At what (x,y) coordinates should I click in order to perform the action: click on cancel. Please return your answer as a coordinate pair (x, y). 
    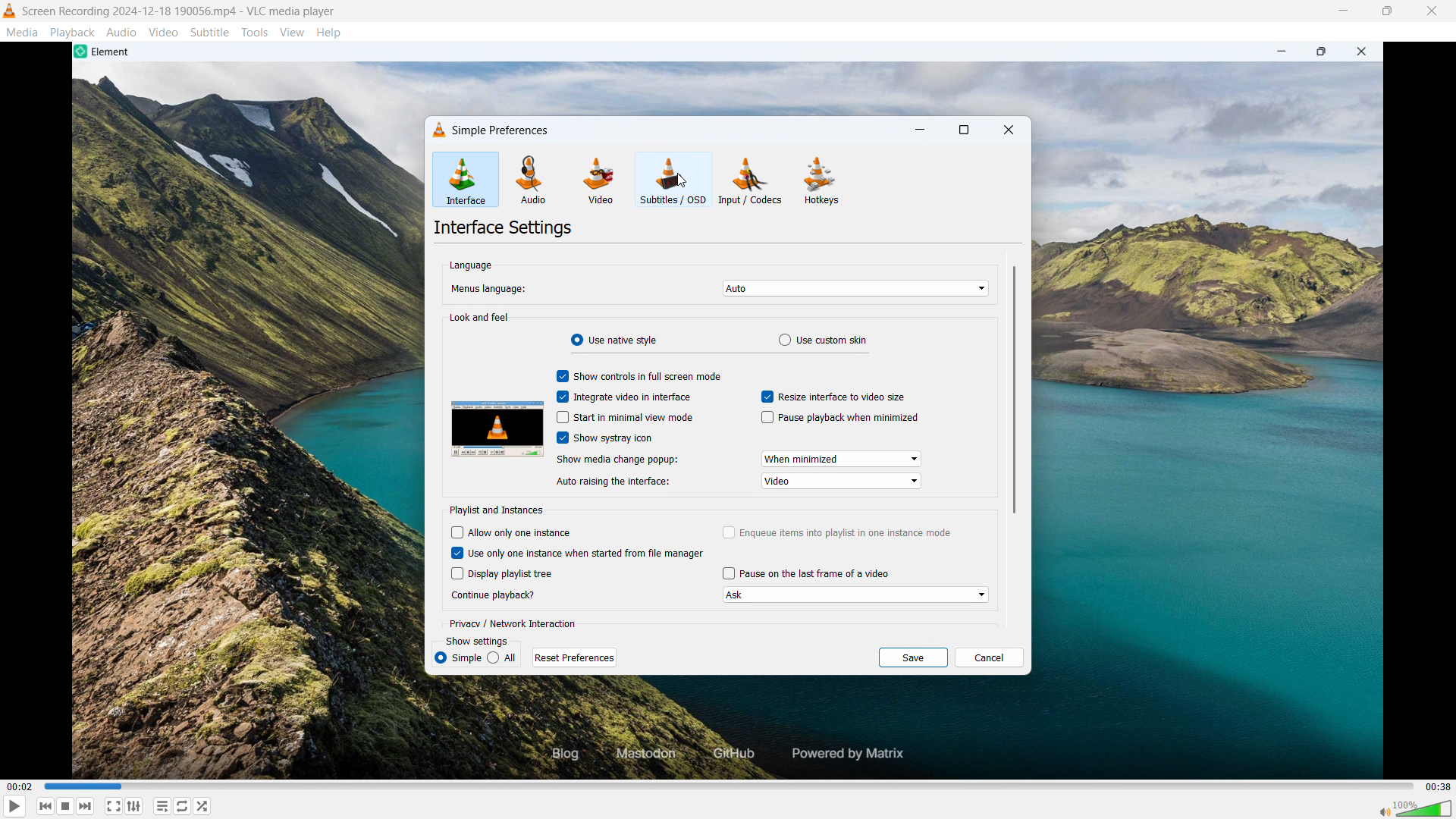
    Looking at the image, I should click on (990, 657).